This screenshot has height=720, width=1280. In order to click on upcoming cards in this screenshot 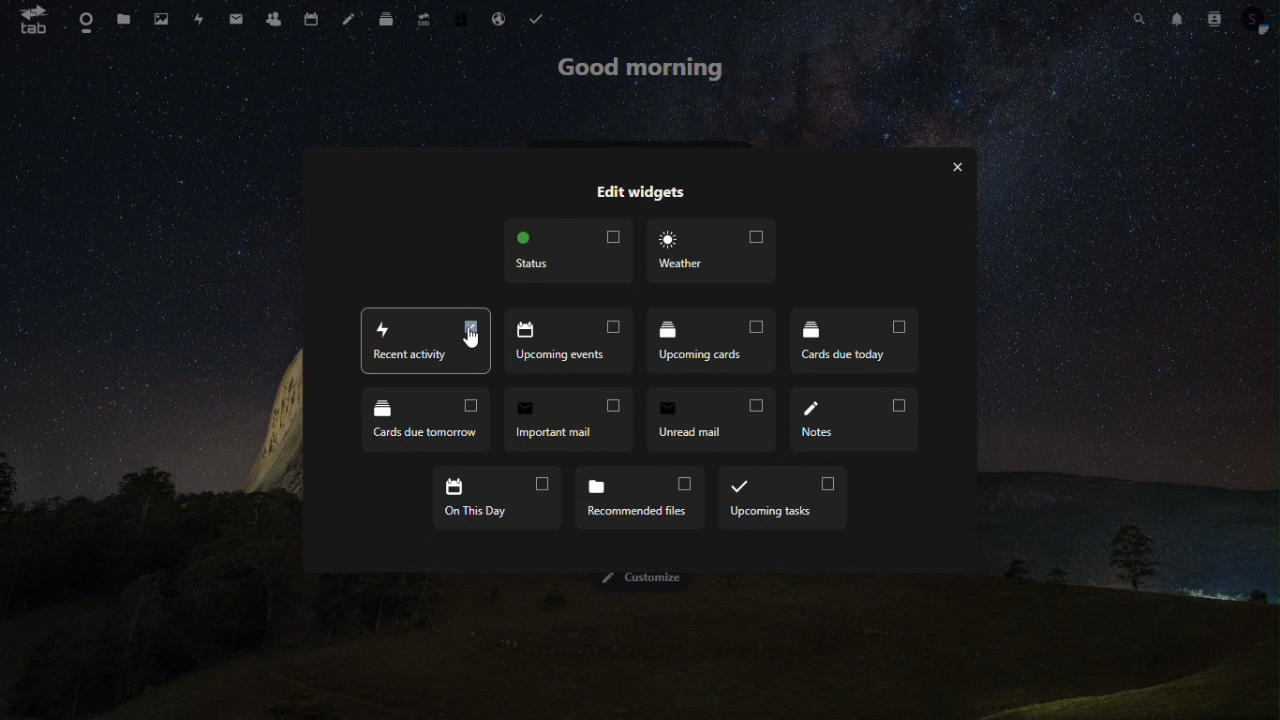, I will do `click(712, 341)`.